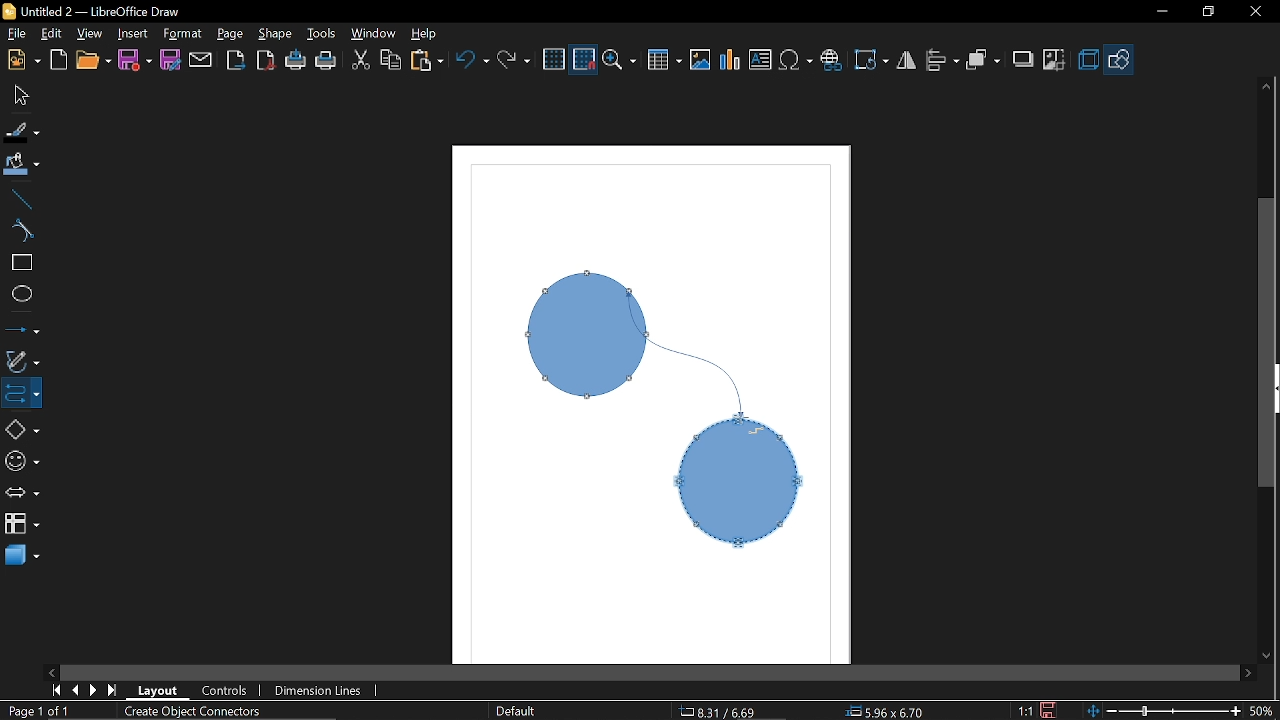 The height and width of the screenshot is (720, 1280). What do you see at coordinates (1026, 710) in the screenshot?
I see `Scaling factor` at bounding box center [1026, 710].